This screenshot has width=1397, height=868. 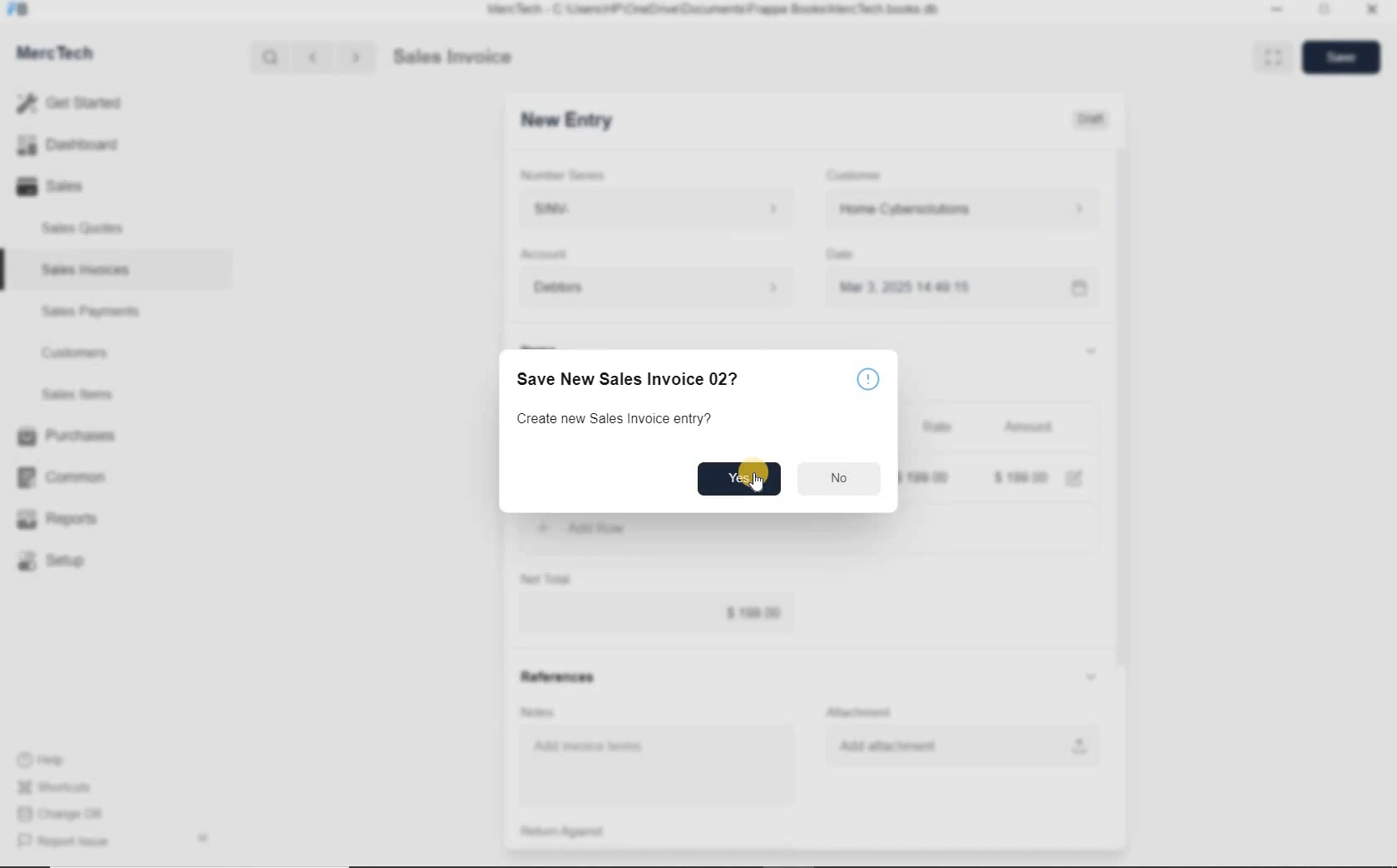 I want to click on hide sub menu, so click(x=1091, y=678).